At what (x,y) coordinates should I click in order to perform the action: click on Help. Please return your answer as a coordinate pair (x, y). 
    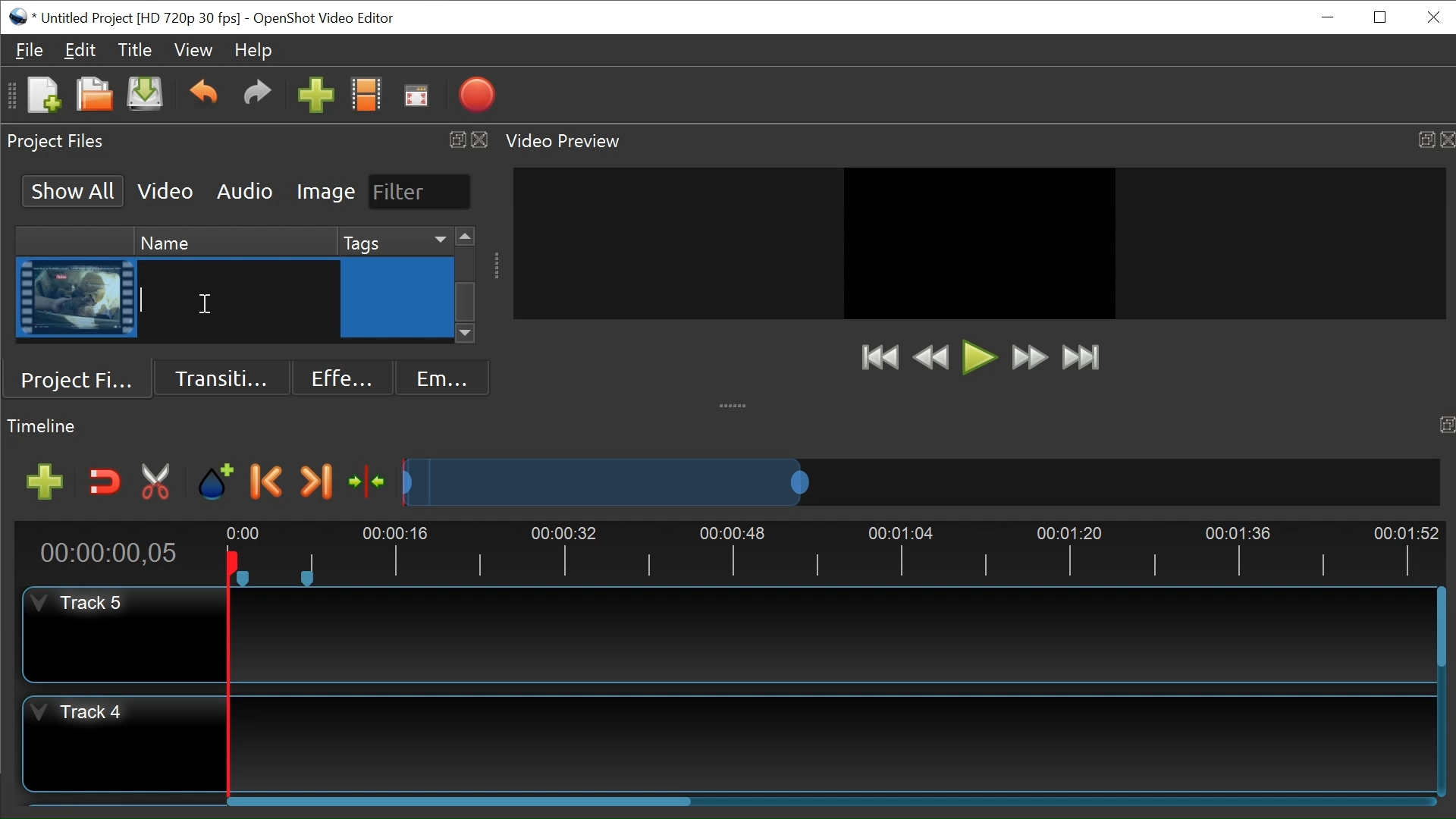
    Looking at the image, I should click on (254, 50).